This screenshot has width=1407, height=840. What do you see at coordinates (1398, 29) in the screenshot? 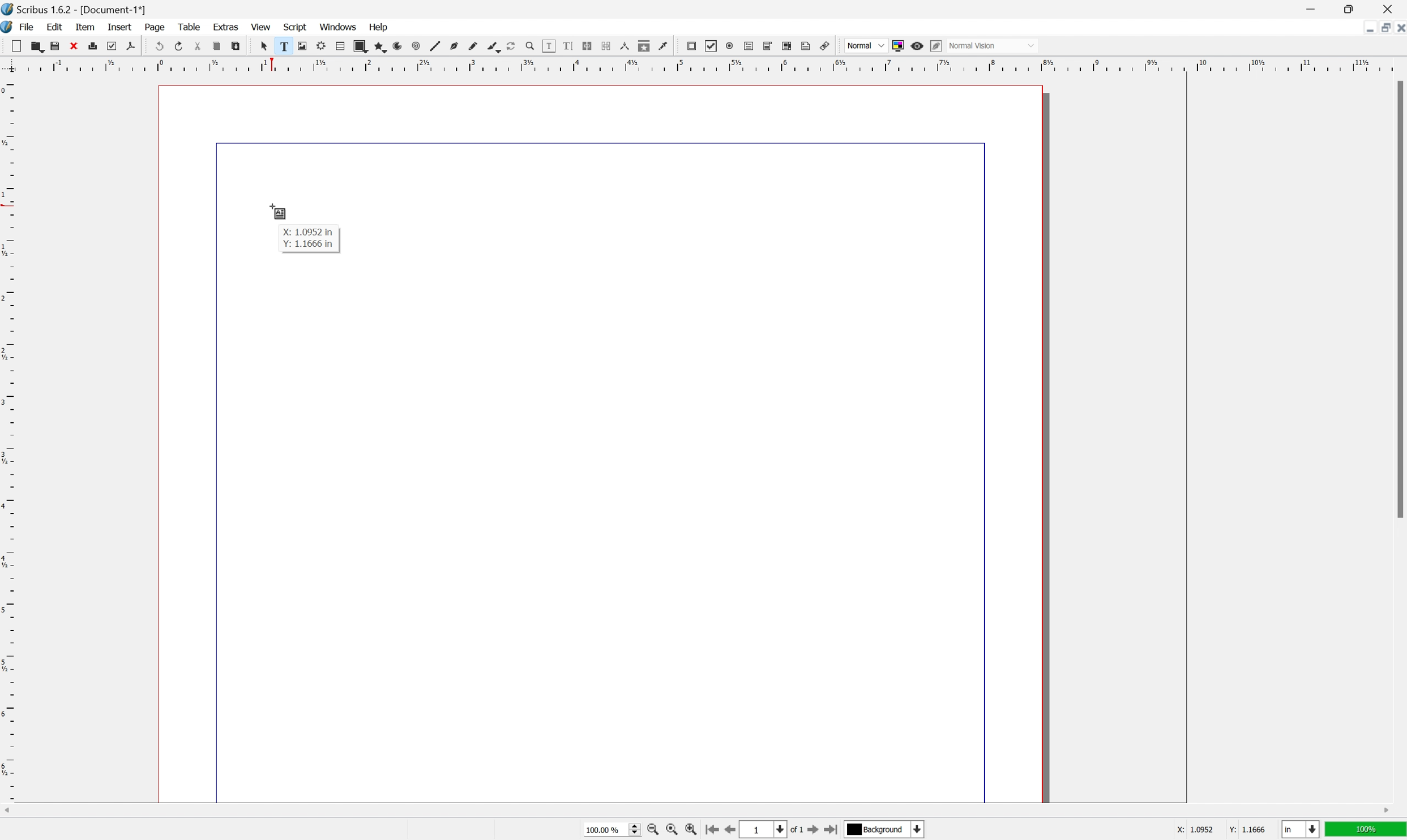
I see `close` at bounding box center [1398, 29].